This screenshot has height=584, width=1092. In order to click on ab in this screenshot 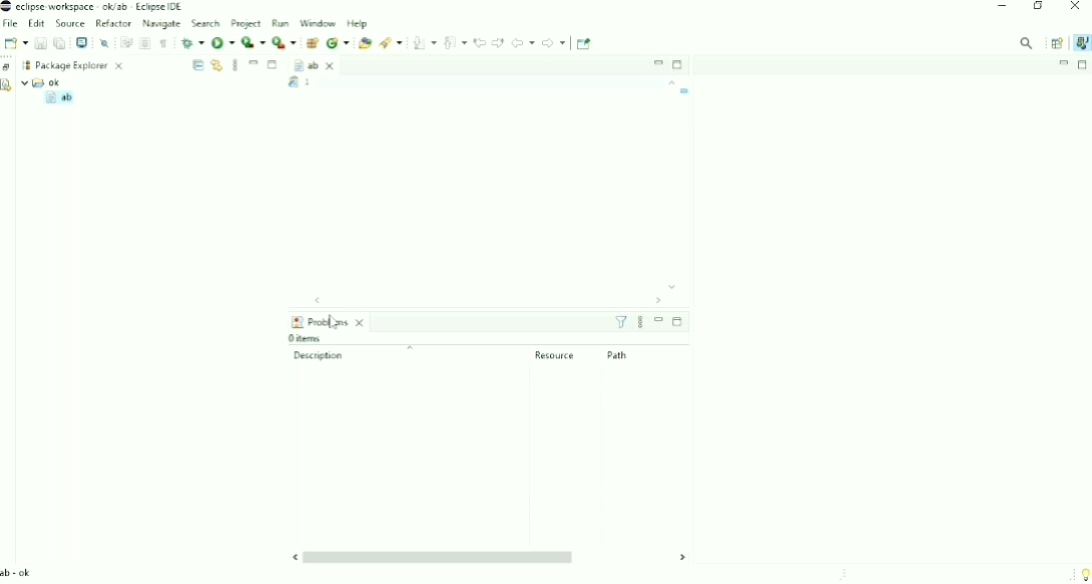, I will do `click(315, 66)`.